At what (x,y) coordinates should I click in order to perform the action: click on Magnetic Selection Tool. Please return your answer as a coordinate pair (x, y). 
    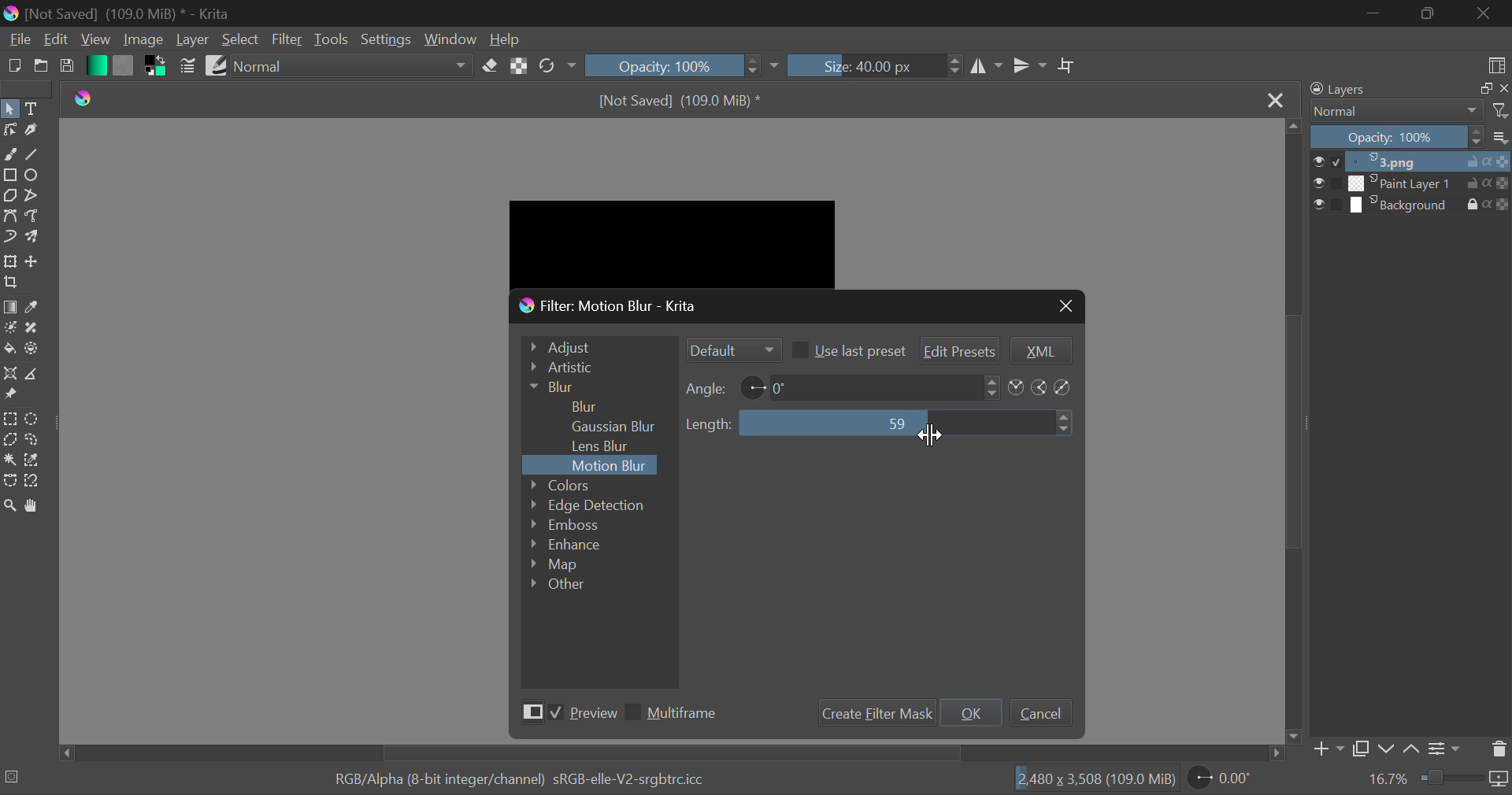
    Looking at the image, I should click on (33, 484).